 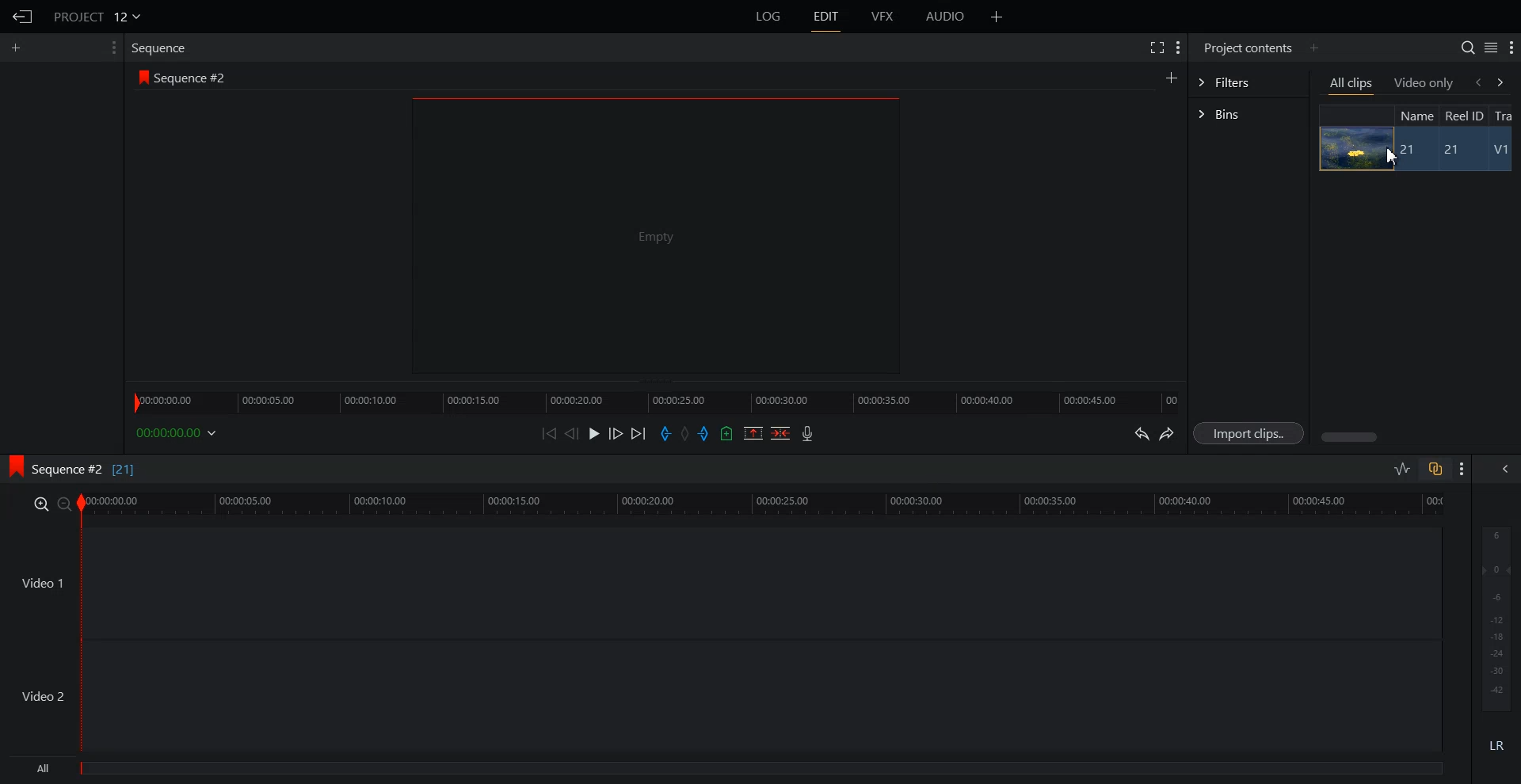 What do you see at coordinates (1462, 469) in the screenshot?
I see `Show setting menu` at bounding box center [1462, 469].